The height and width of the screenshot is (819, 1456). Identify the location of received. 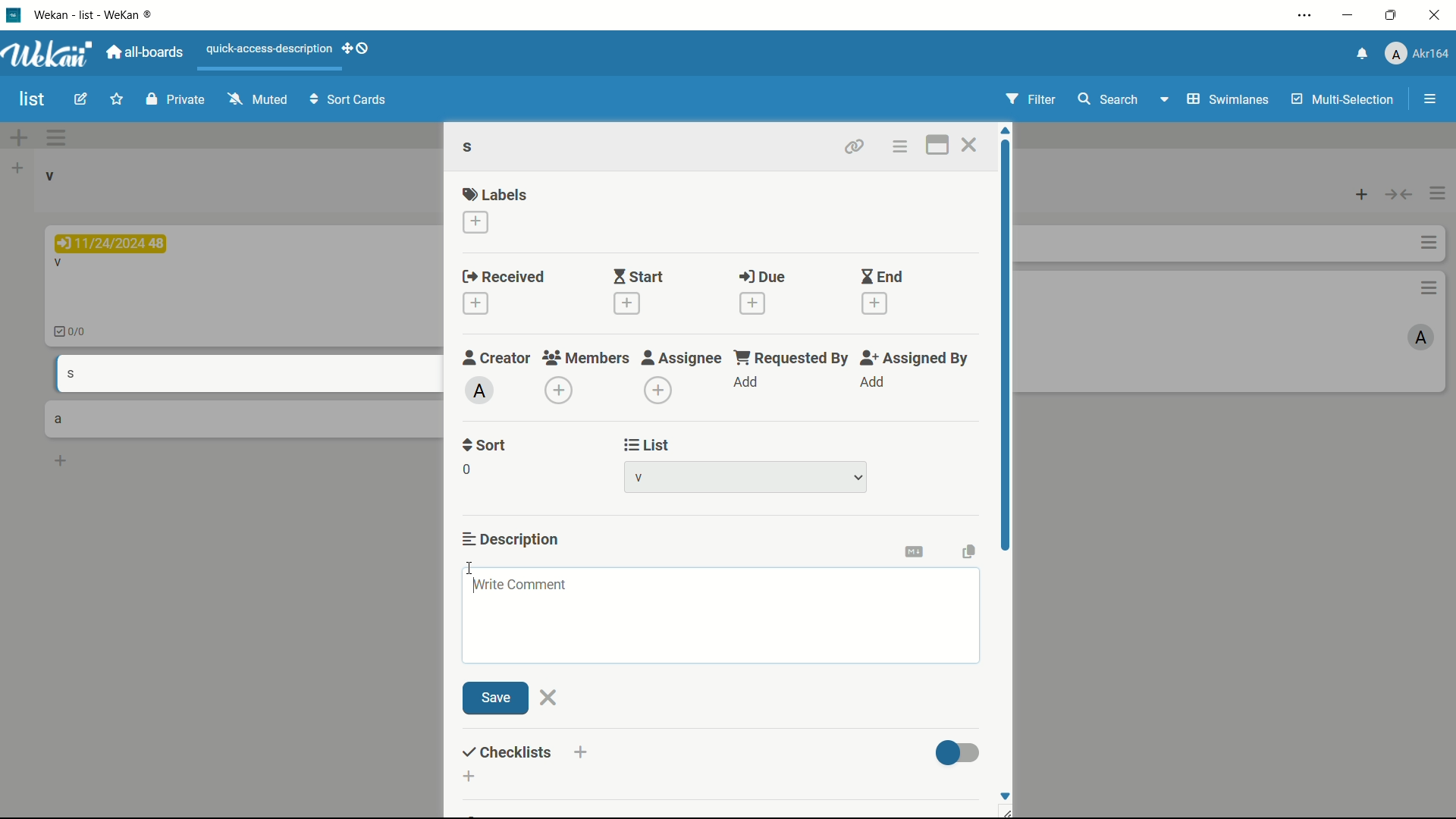
(504, 275).